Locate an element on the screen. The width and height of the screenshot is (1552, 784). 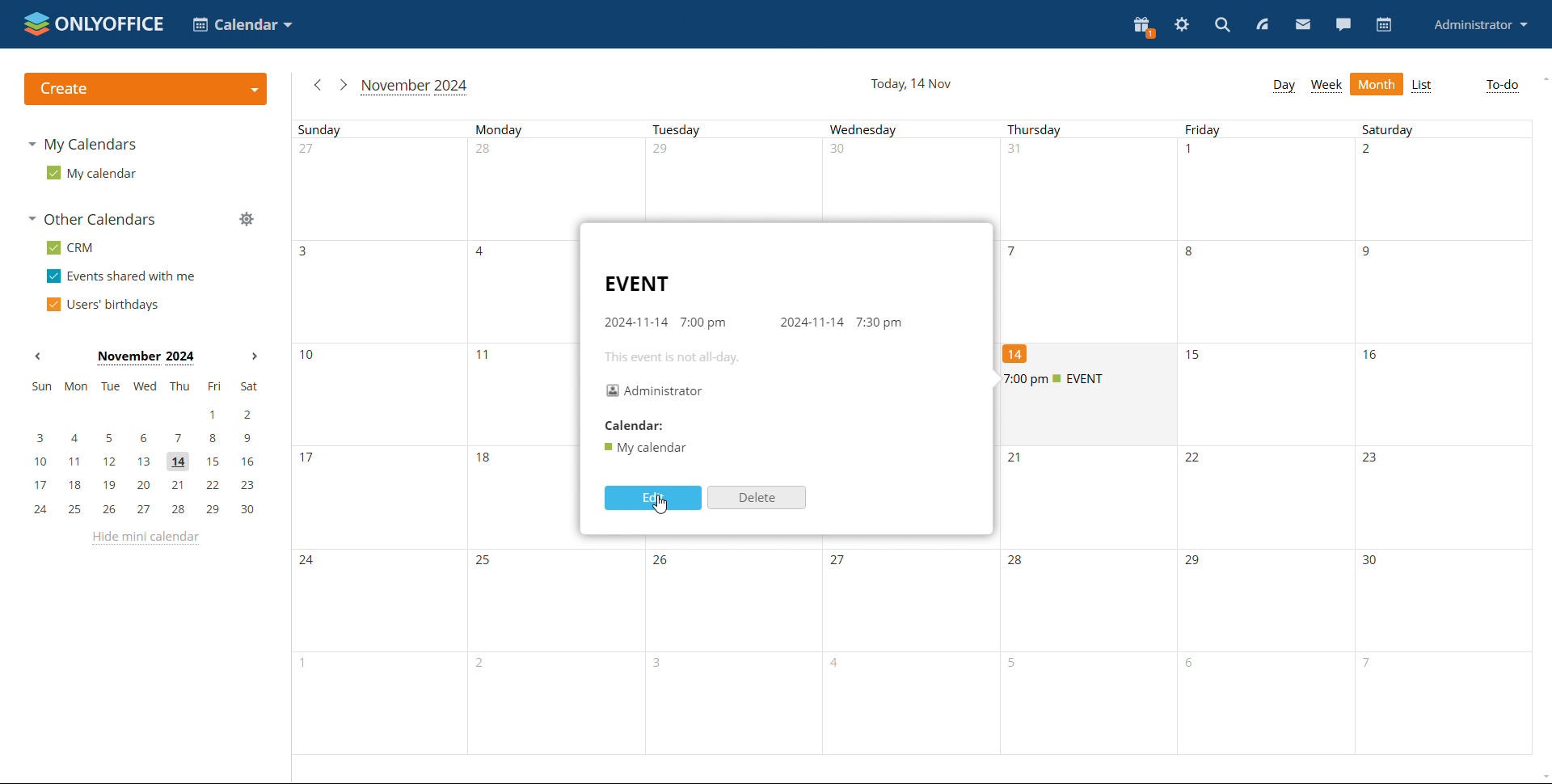
number is located at coordinates (293, 664).